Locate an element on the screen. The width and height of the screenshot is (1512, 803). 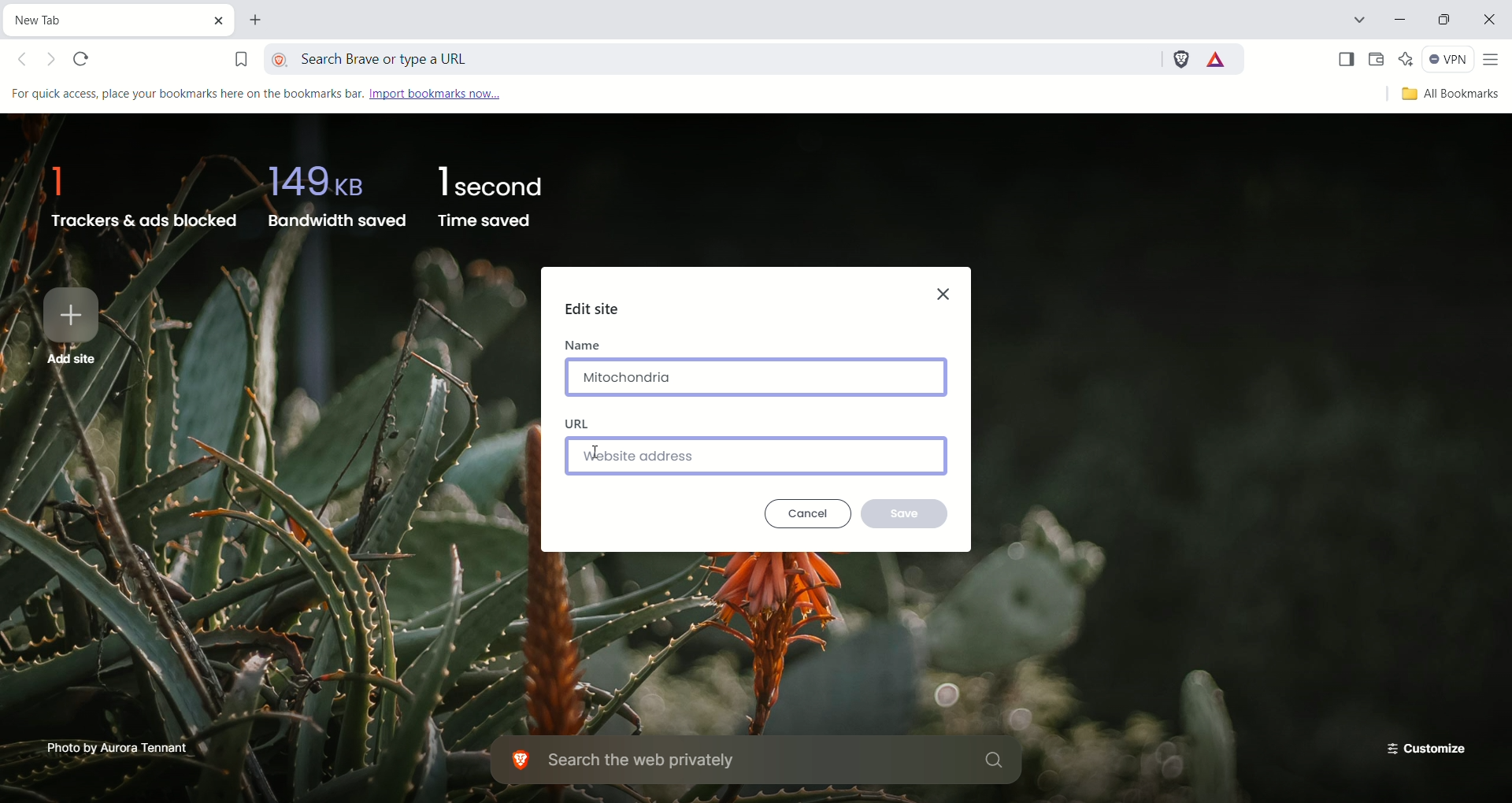
brave shields is located at coordinates (1180, 57).